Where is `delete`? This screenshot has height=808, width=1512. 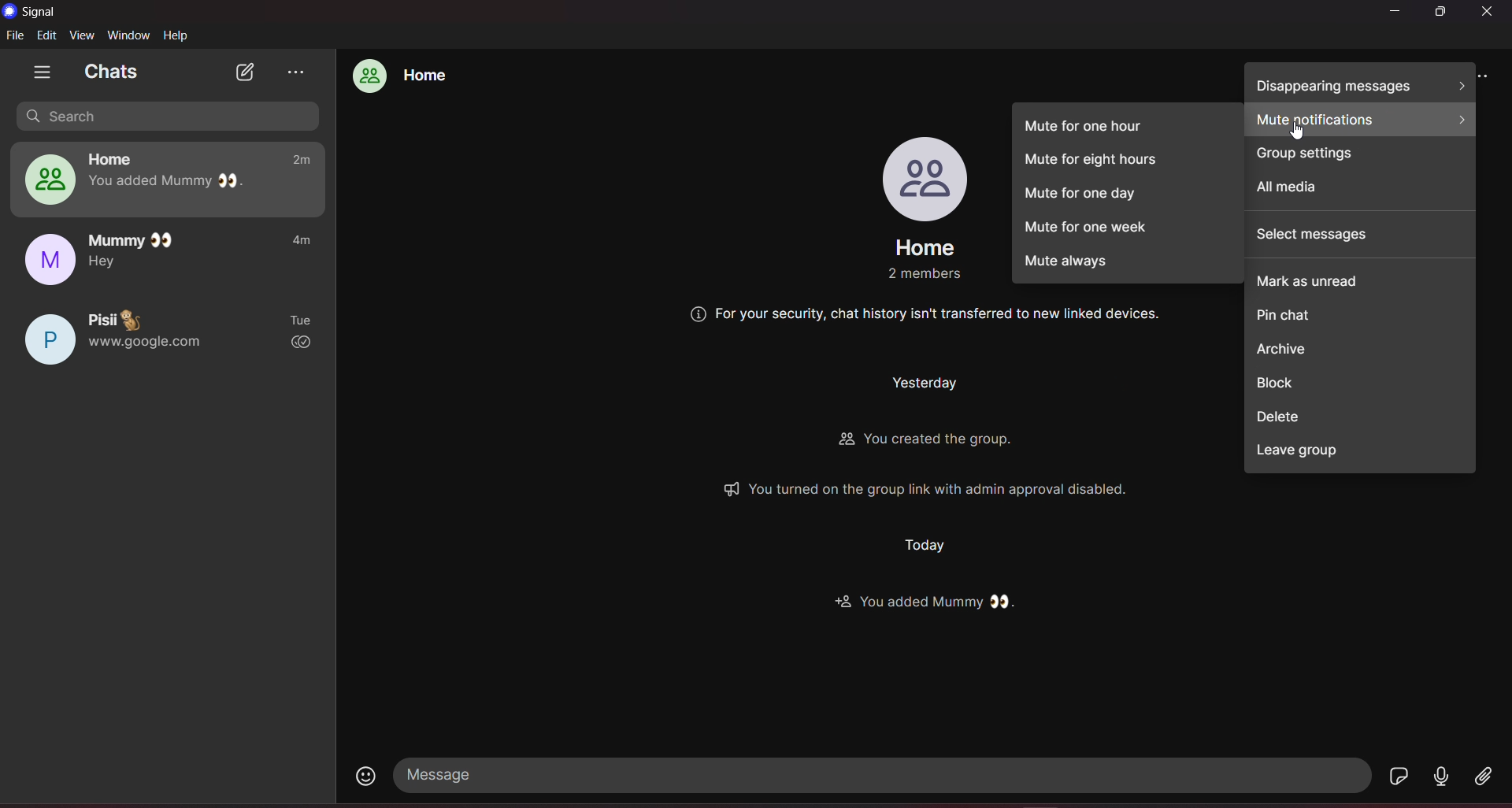
delete is located at coordinates (1358, 423).